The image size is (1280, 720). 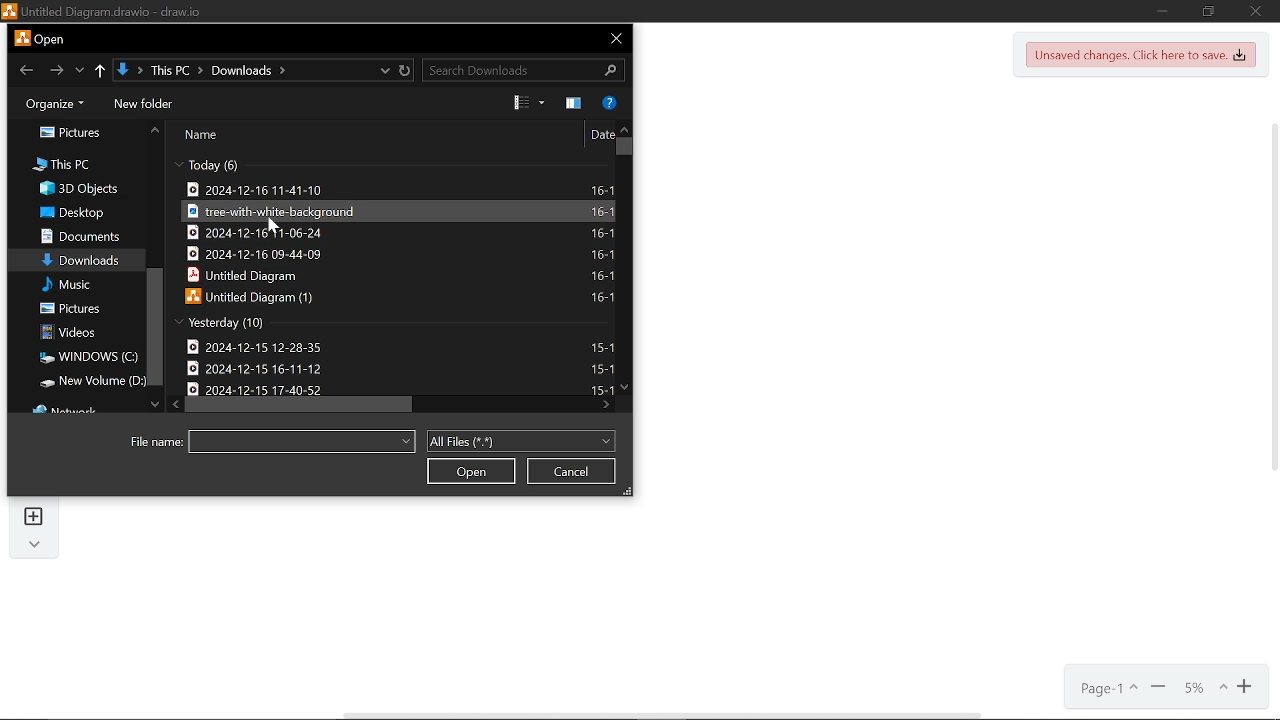 I want to click on Vertical scrolbar in folders, so click(x=154, y=326).